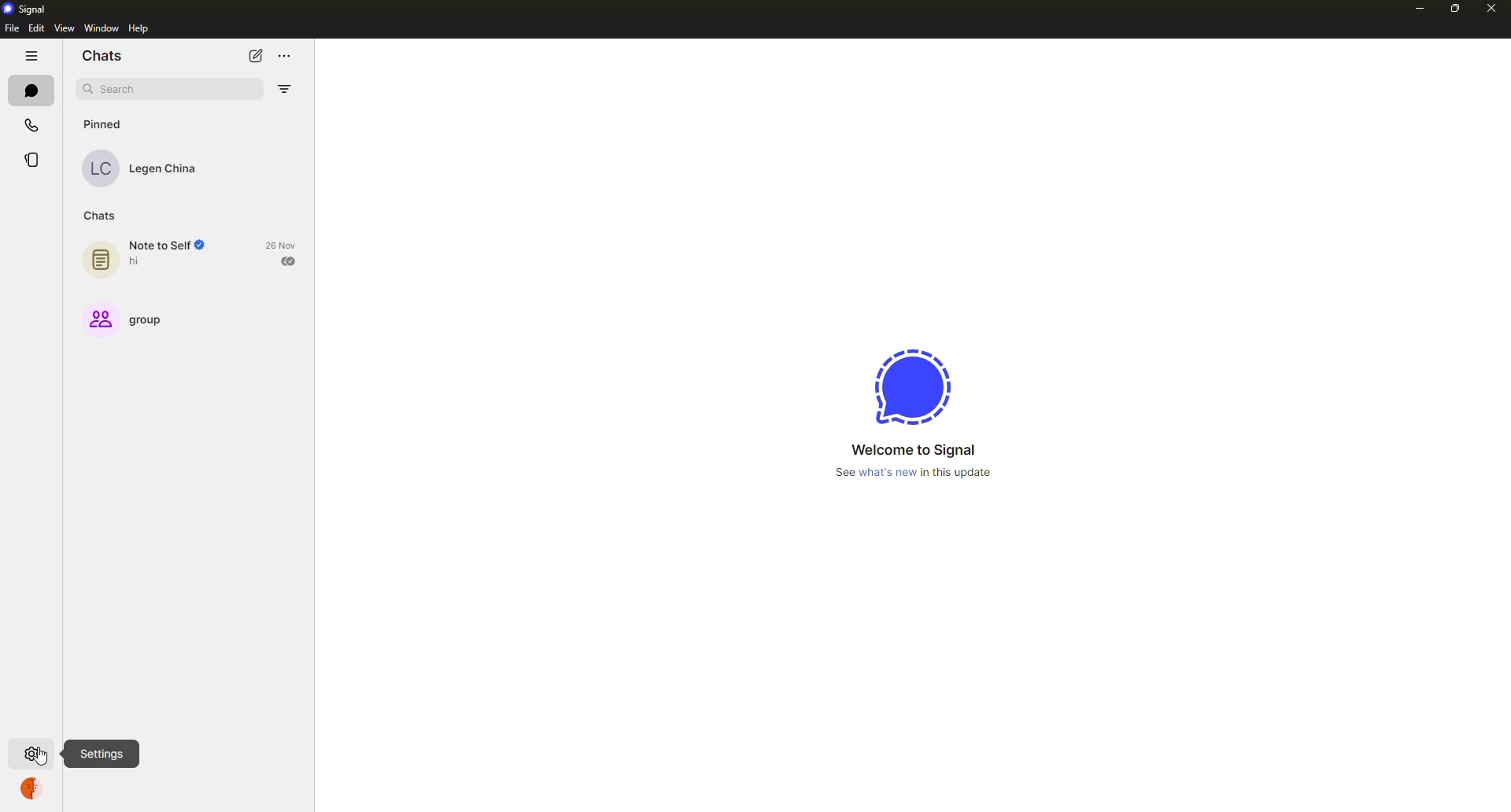  I want to click on what's new, so click(912, 474).